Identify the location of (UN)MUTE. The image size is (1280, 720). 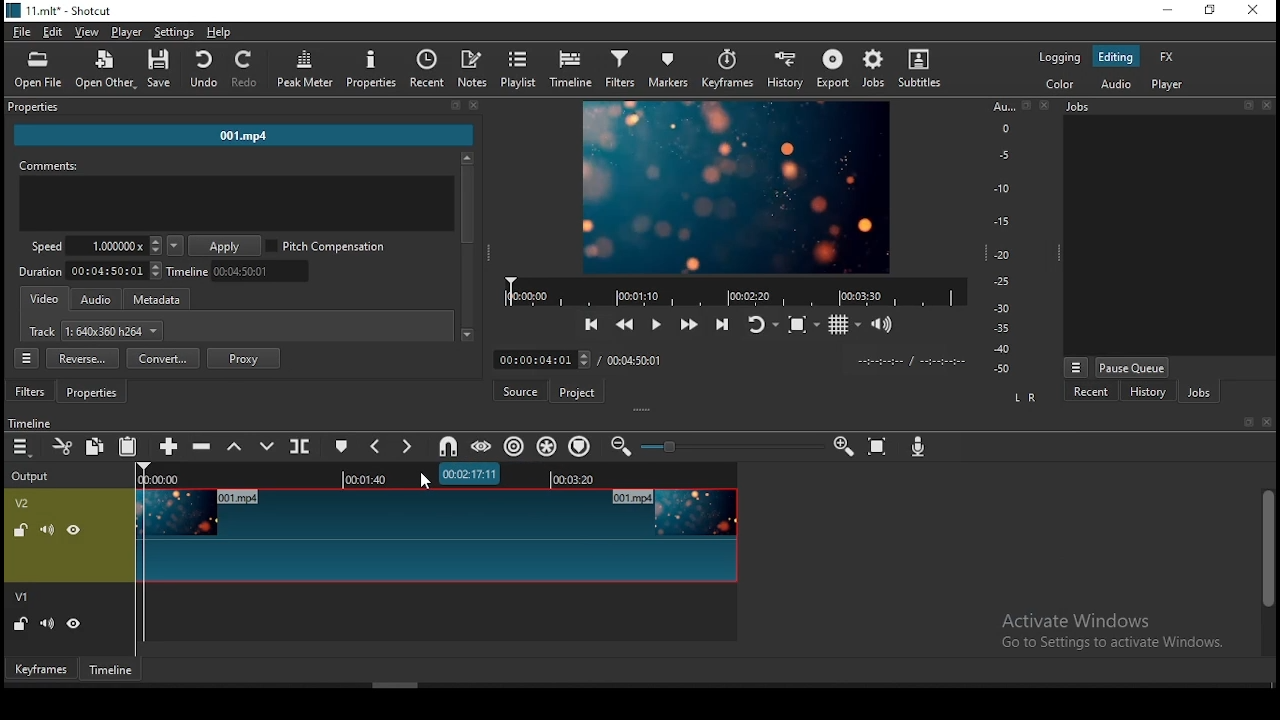
(45, 624).